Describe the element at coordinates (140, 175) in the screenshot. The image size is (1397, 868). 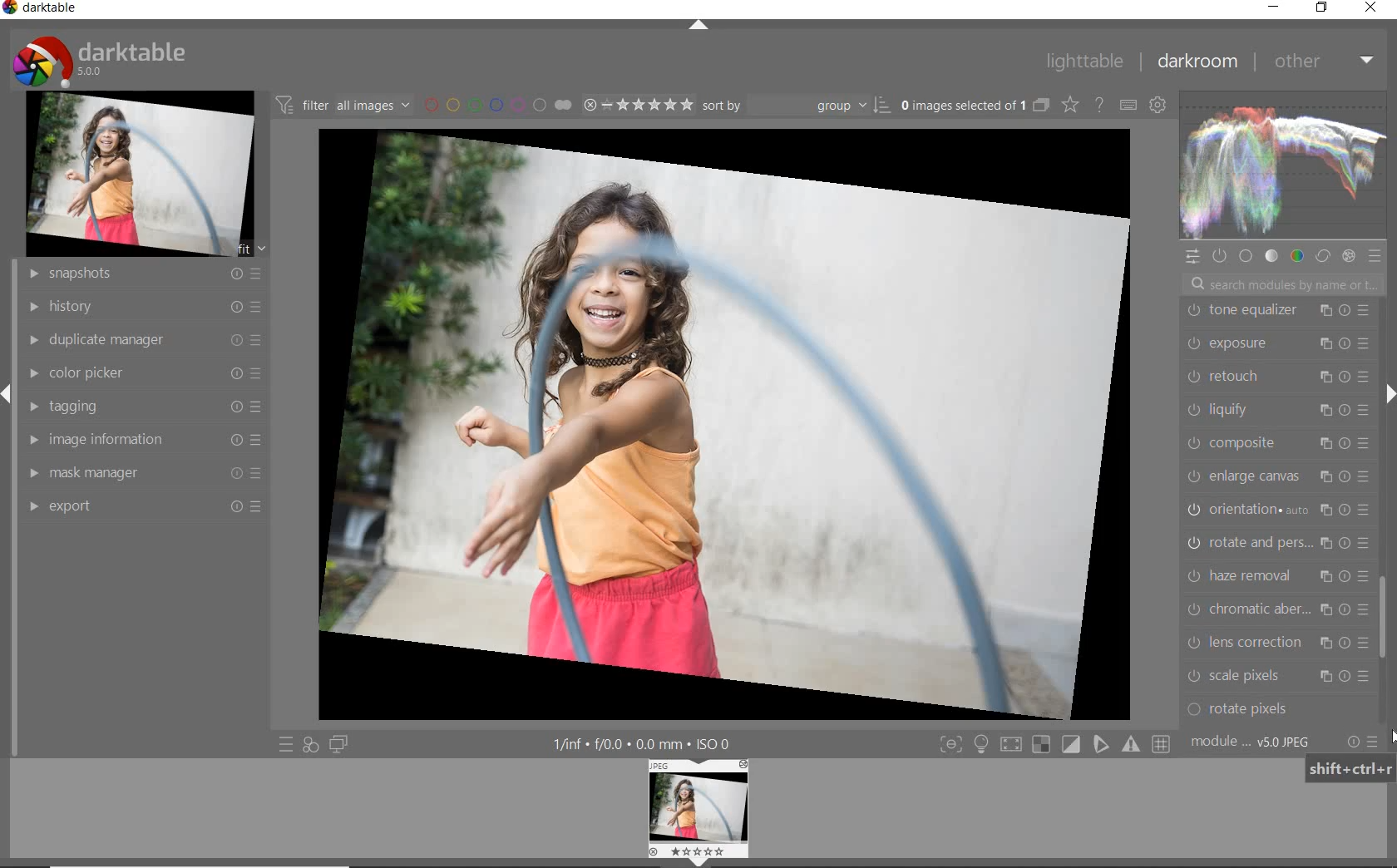
I see `image` at that location.